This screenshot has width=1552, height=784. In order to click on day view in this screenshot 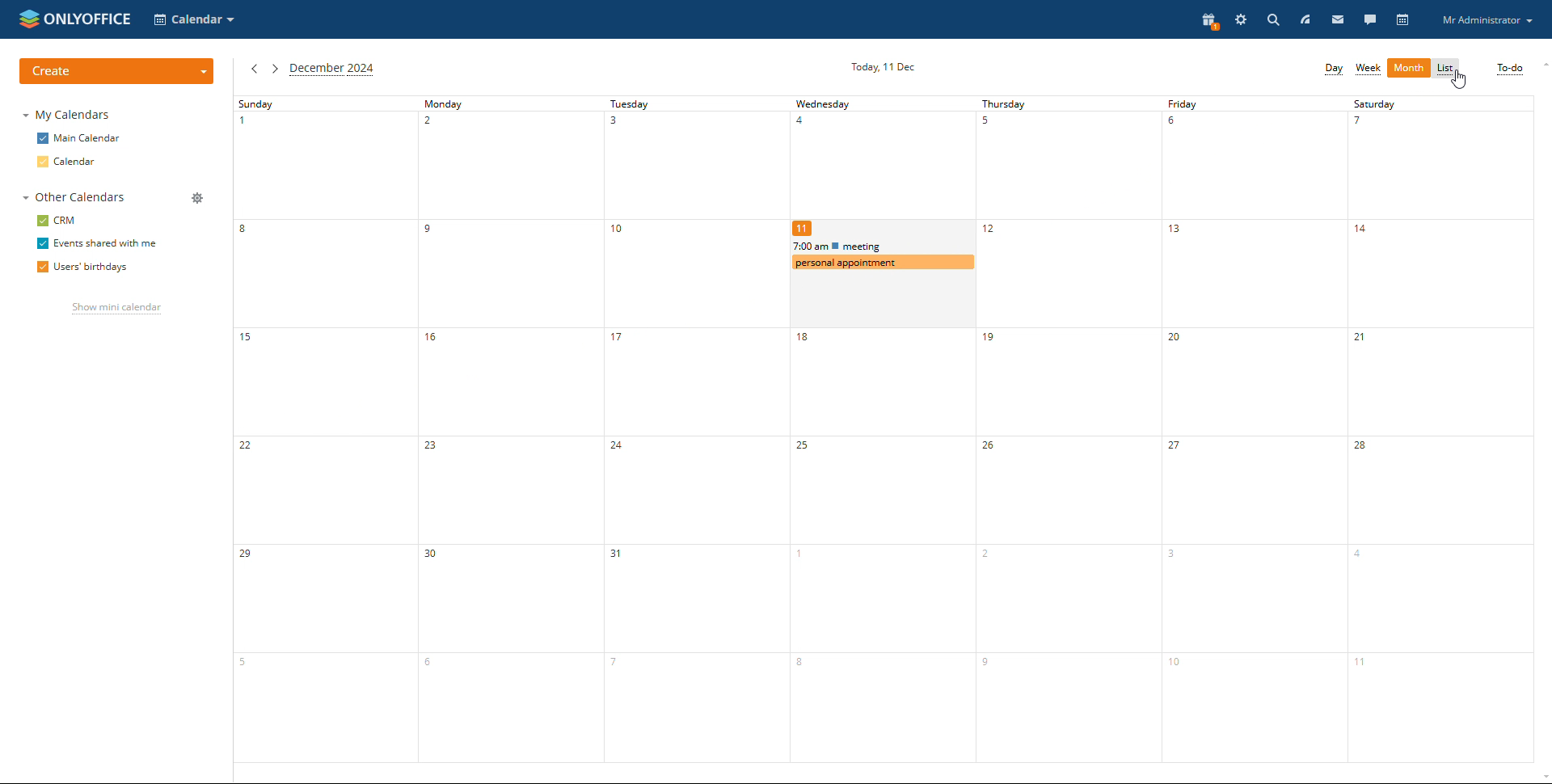, I will do `click(1333, 70)`.